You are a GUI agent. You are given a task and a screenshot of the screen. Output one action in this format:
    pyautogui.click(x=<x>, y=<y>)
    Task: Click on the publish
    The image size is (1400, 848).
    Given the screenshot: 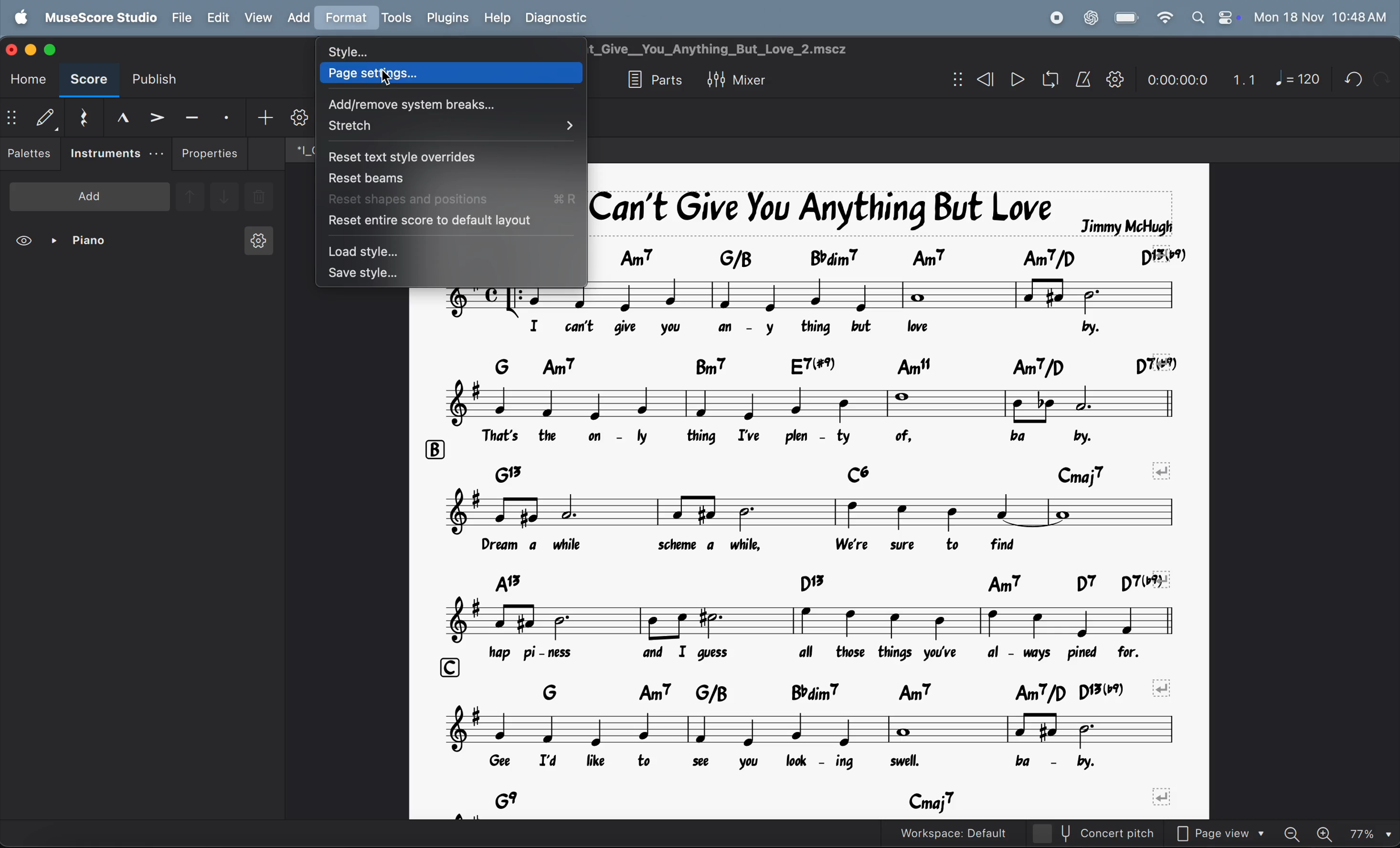 What is the action you would take?
    pyautogui.click(x=160, y=80)
    